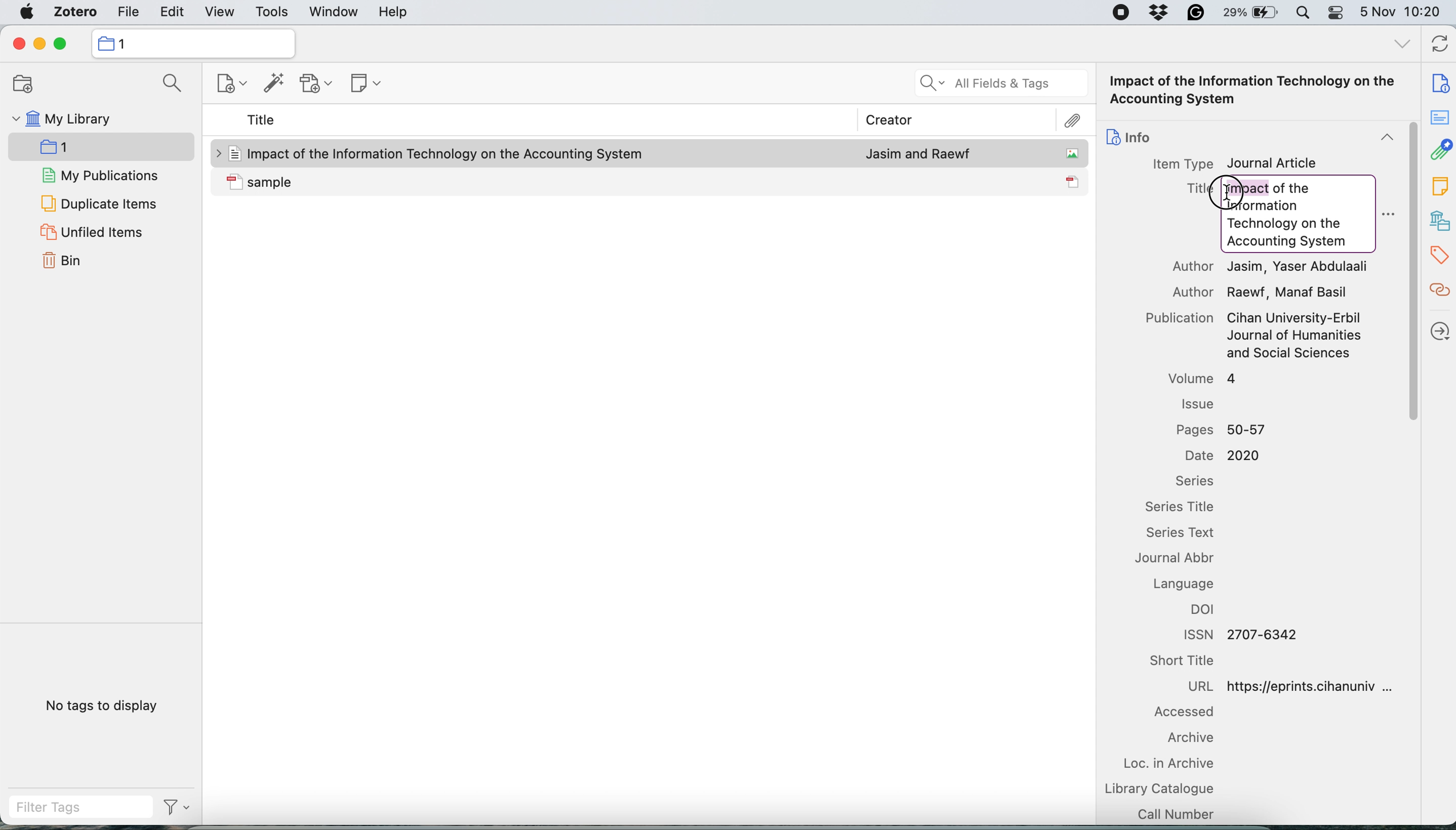 Image resolution: width=1456 pixels, height=830 pixels. I want to click on journal abbr, so click(1181, 558).